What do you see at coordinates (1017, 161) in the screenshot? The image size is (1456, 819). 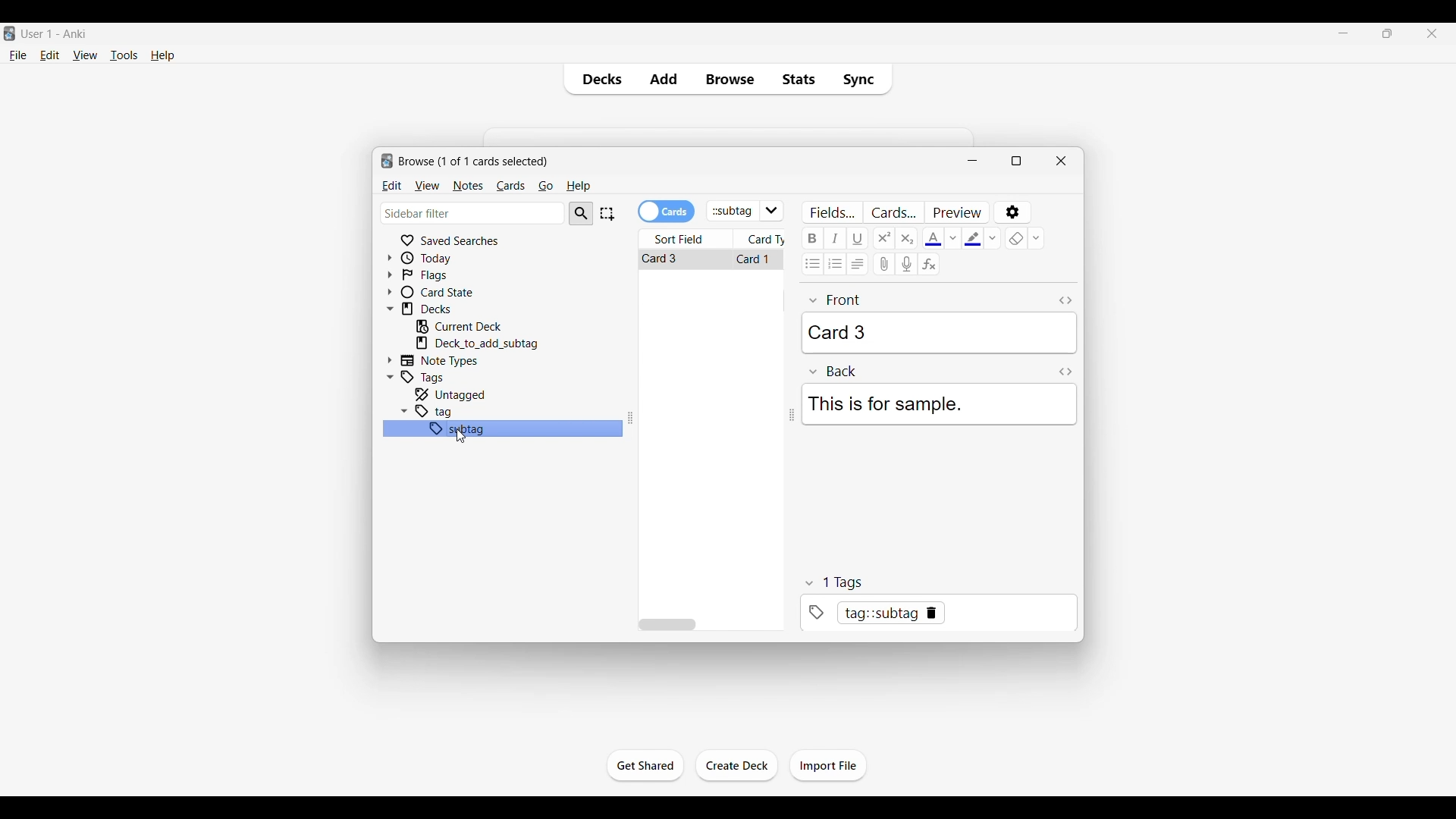 I see `Show window in` at bounding box center [1017, 161].